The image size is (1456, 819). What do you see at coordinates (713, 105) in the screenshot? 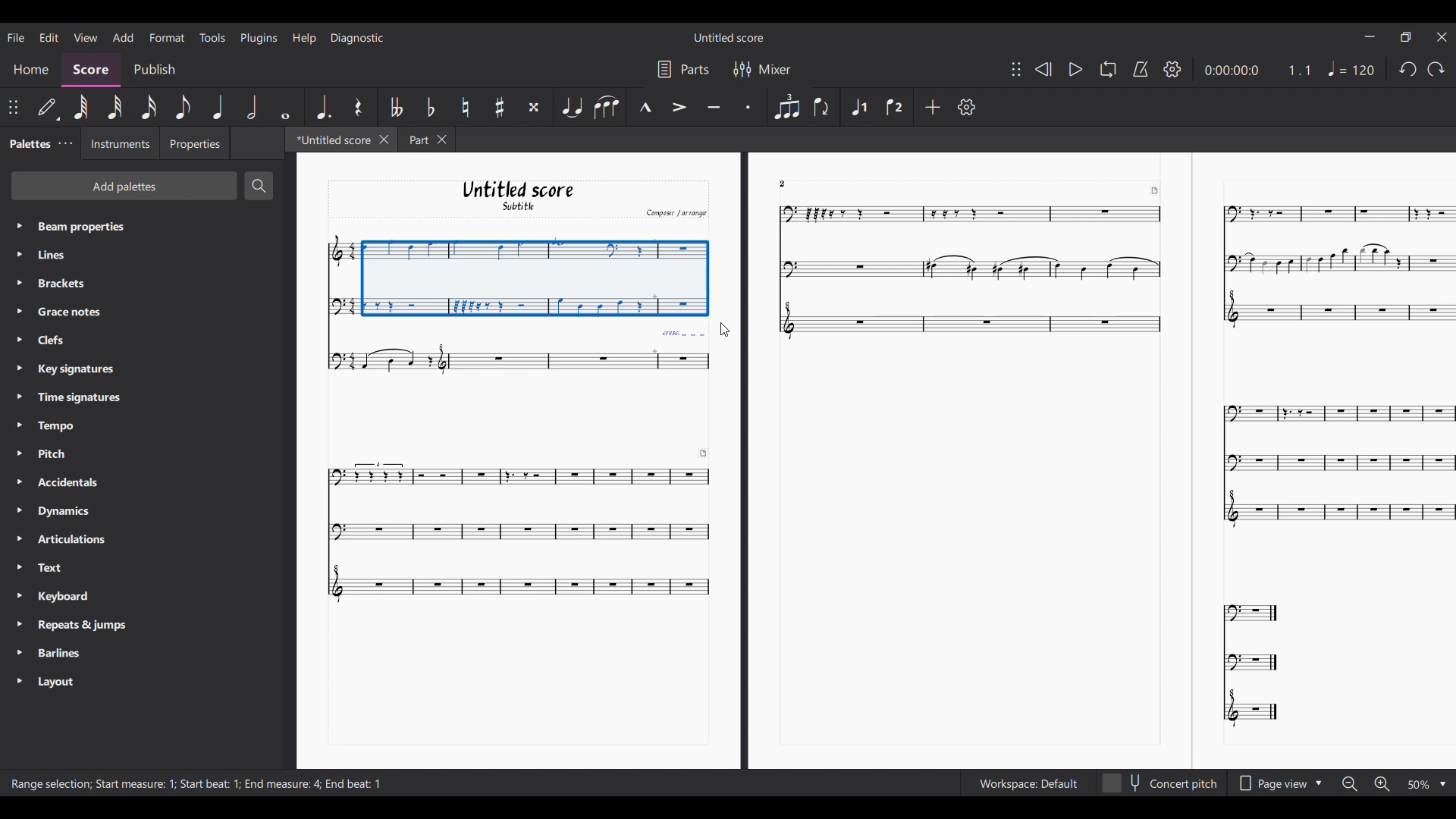
I see `Tenuto` at bounding box center [713, 105].